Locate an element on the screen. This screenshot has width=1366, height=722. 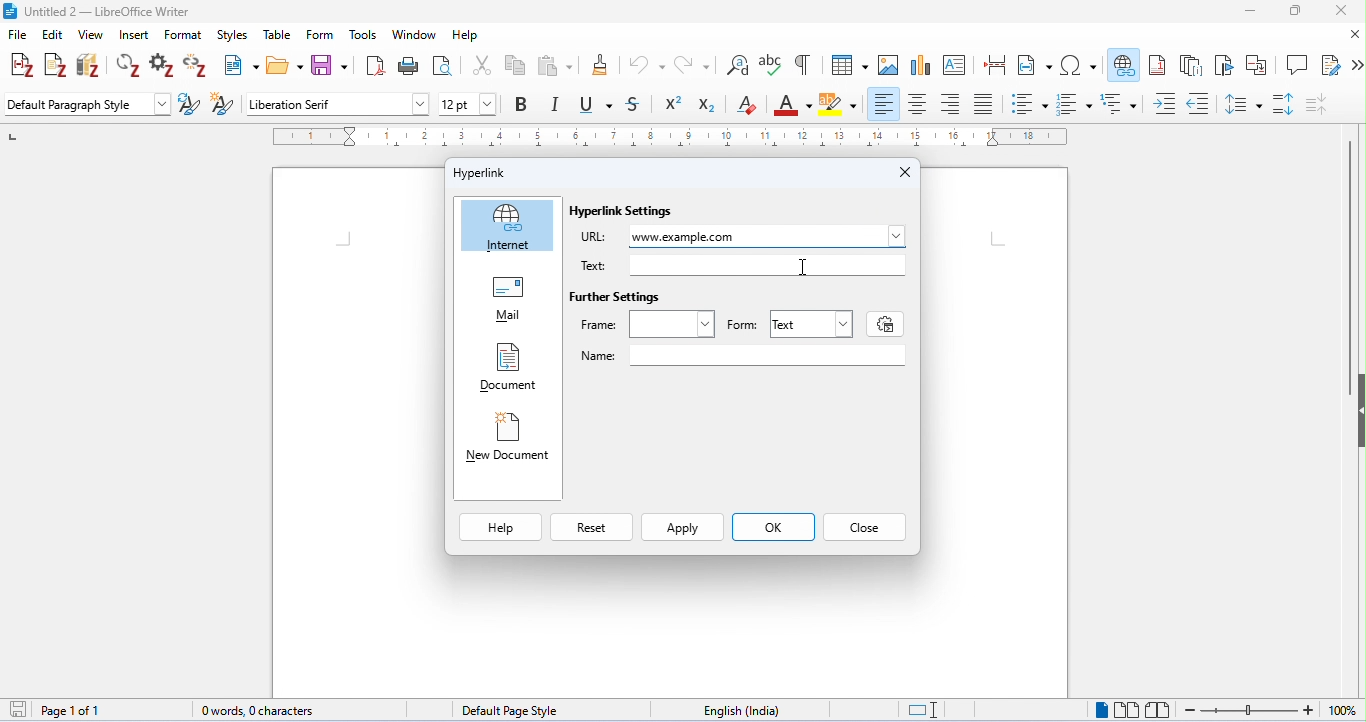
styles is located at coordinates (232, 35).